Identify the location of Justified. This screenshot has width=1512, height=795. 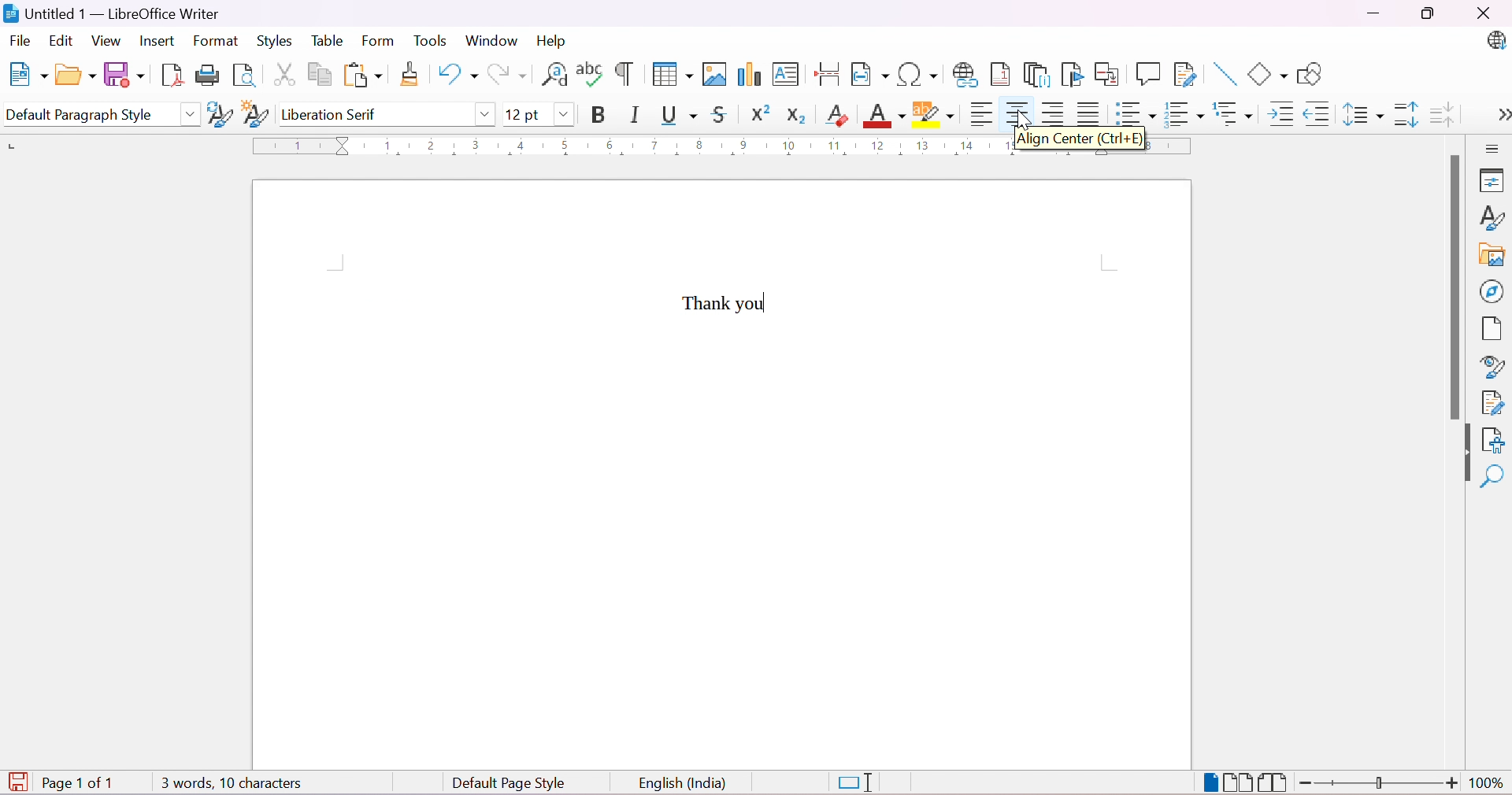
(1088, 113).